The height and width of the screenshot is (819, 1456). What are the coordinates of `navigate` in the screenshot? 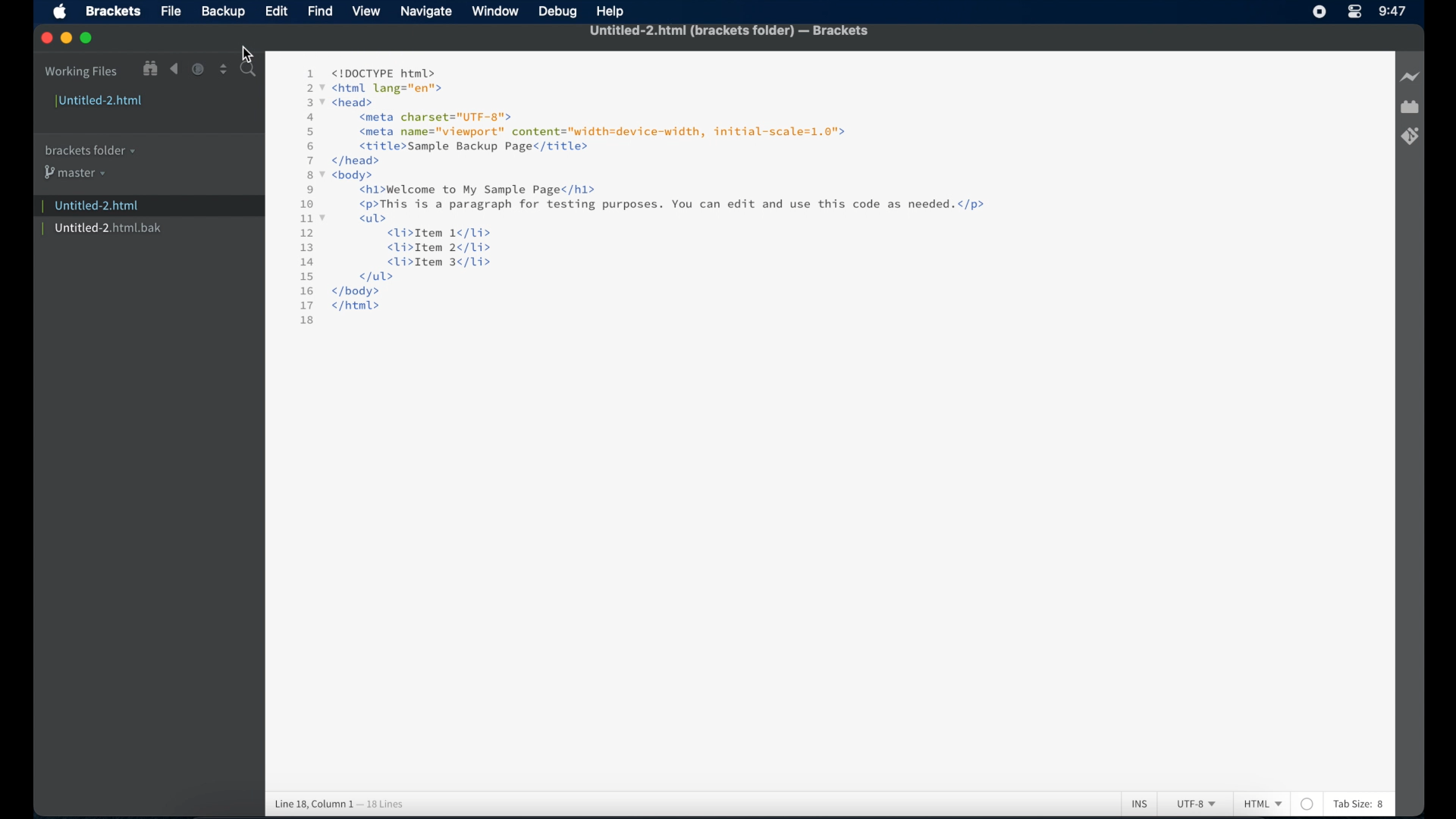 It's located at (427, 13).